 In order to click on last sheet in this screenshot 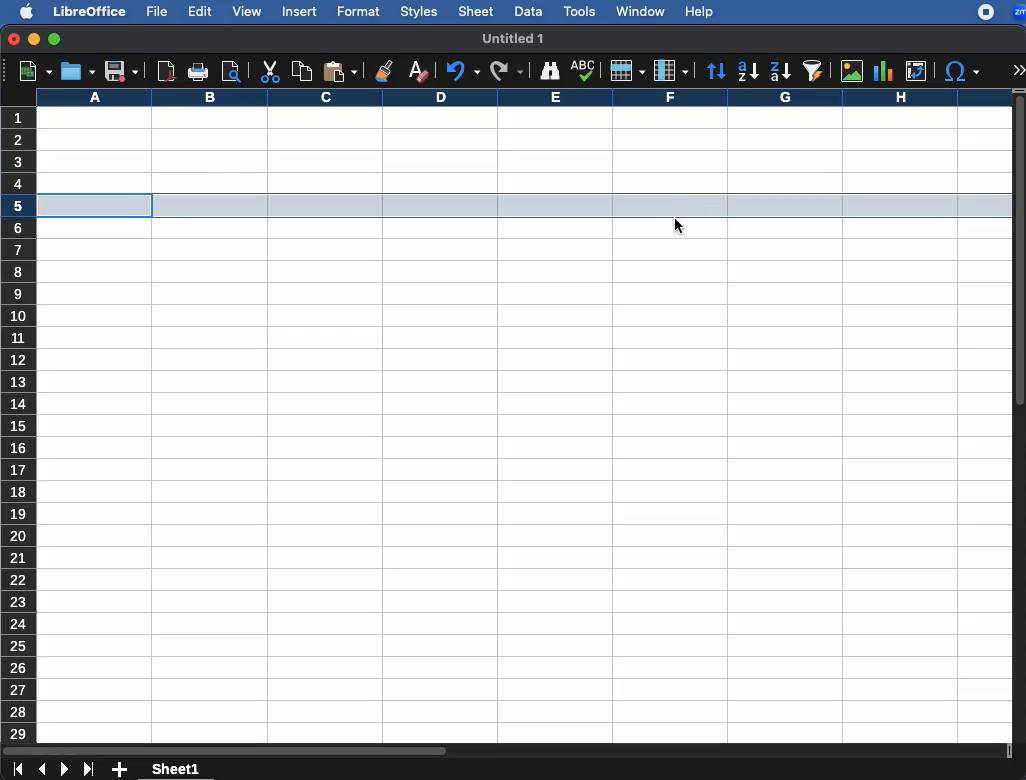, I will do `click(88, 771)`.